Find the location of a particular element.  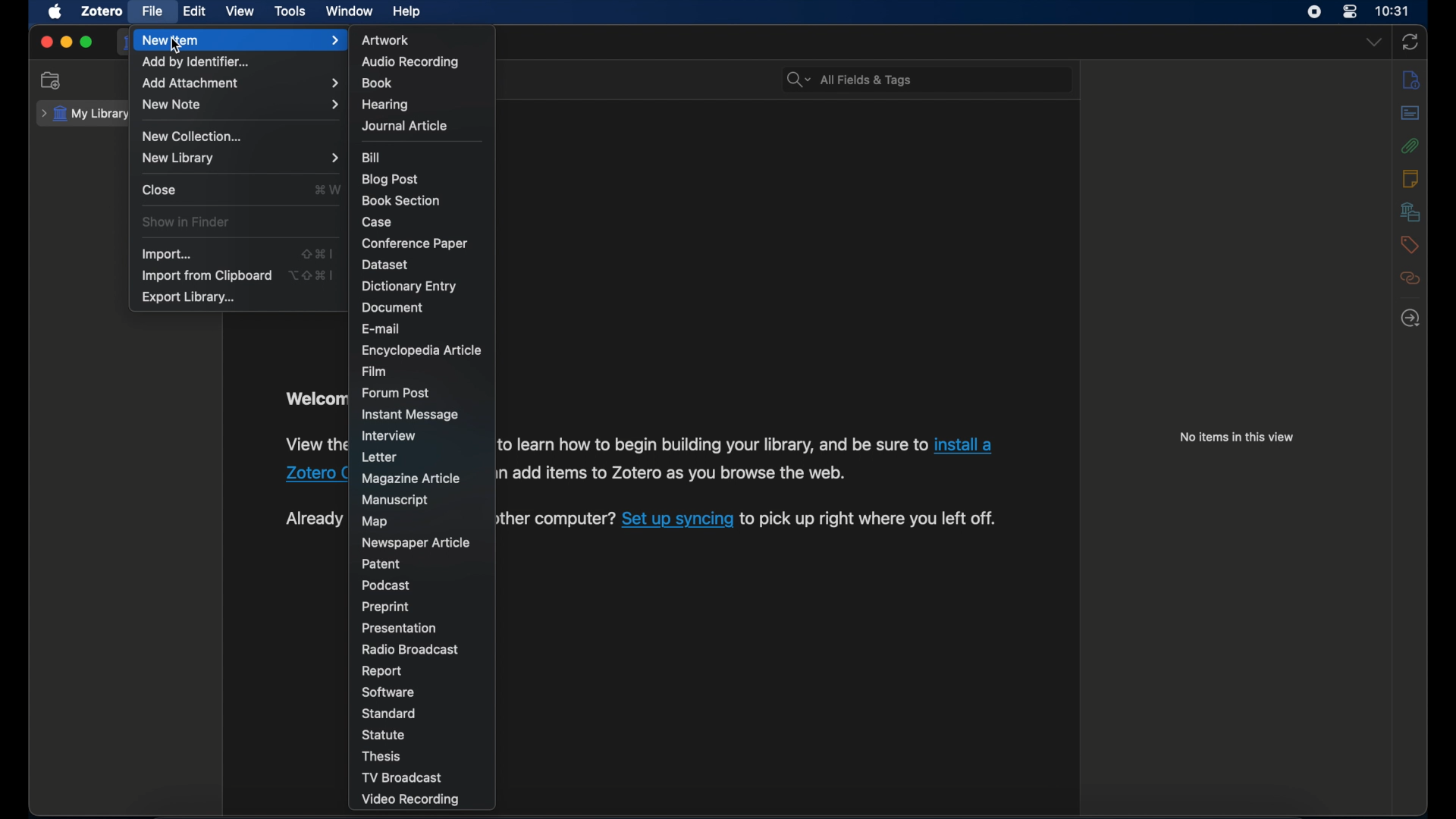

all fields & tags is located at coordinates (851, 80).